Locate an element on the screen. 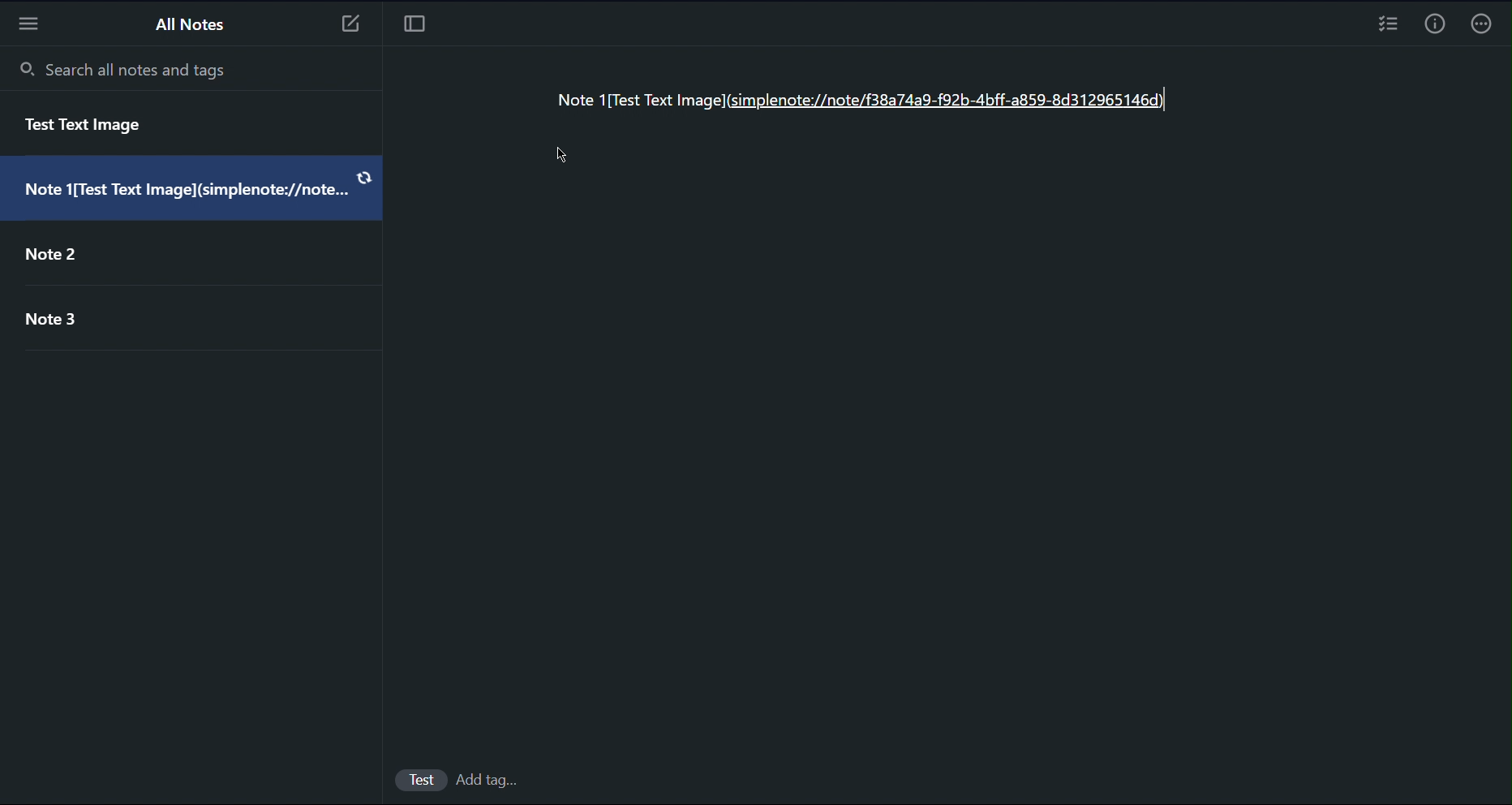 Image resolution: width=1512 pixels, height=805 pixels. New Note is located at coordinates (349, 28).